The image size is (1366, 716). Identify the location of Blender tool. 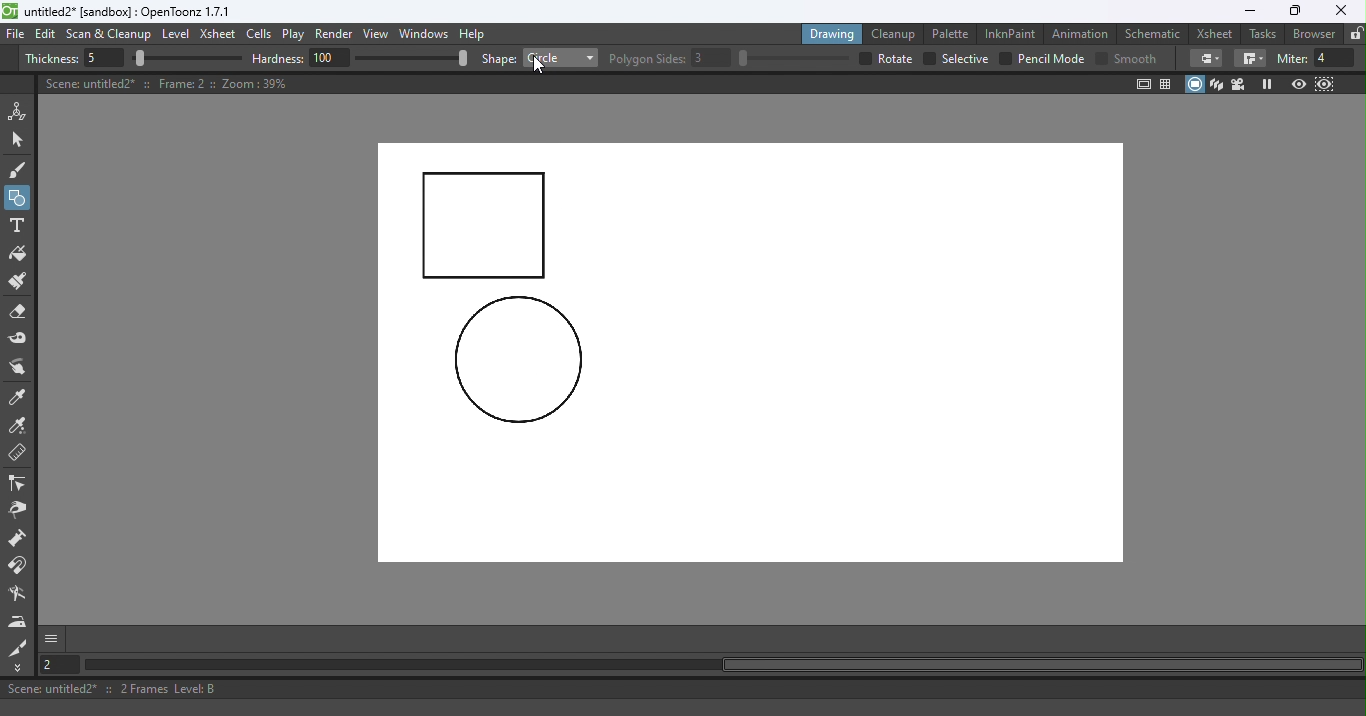
(21, 595).